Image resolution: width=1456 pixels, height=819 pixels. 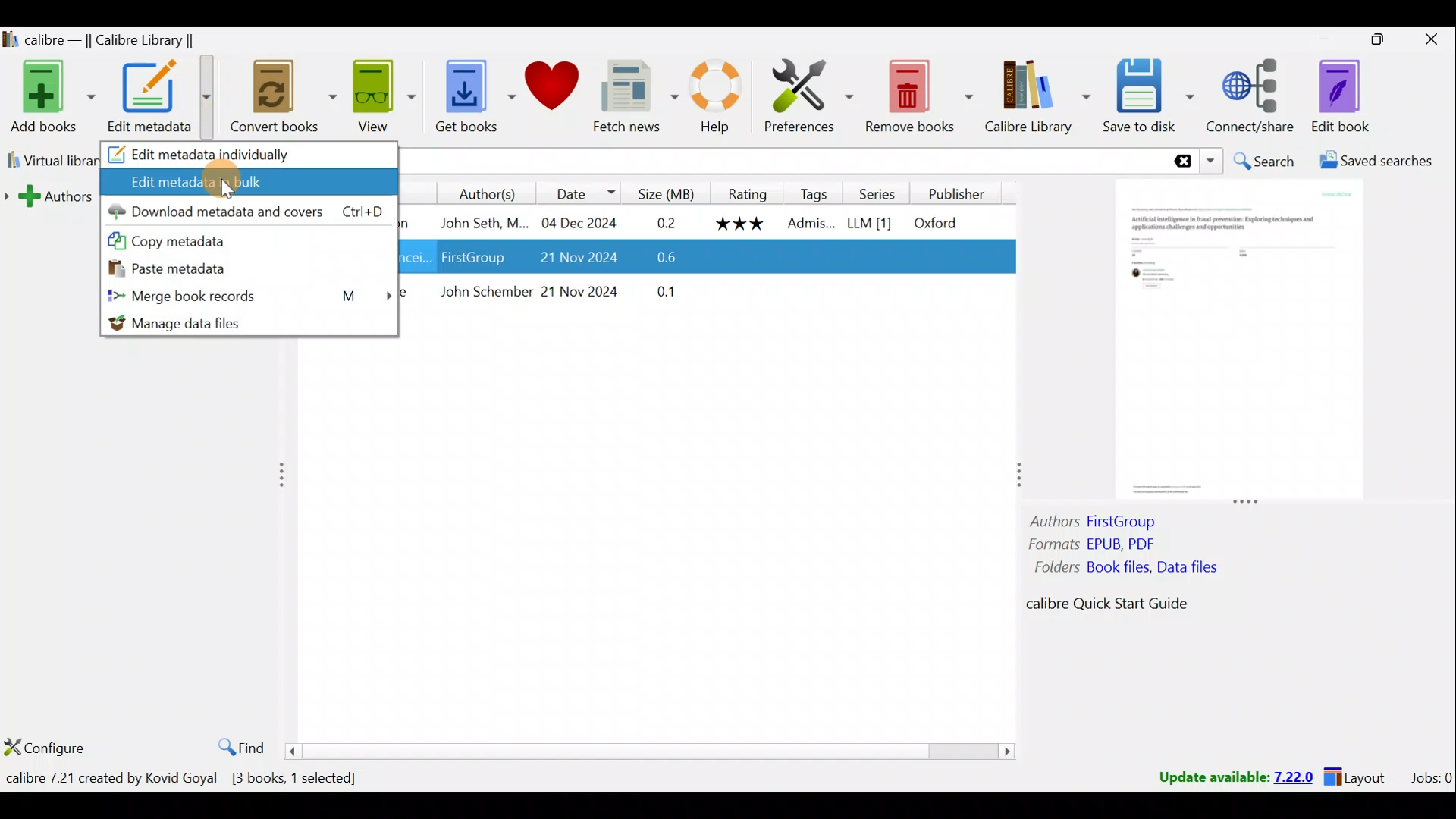 I want to click on Statistics, so click(x=210, y=777).